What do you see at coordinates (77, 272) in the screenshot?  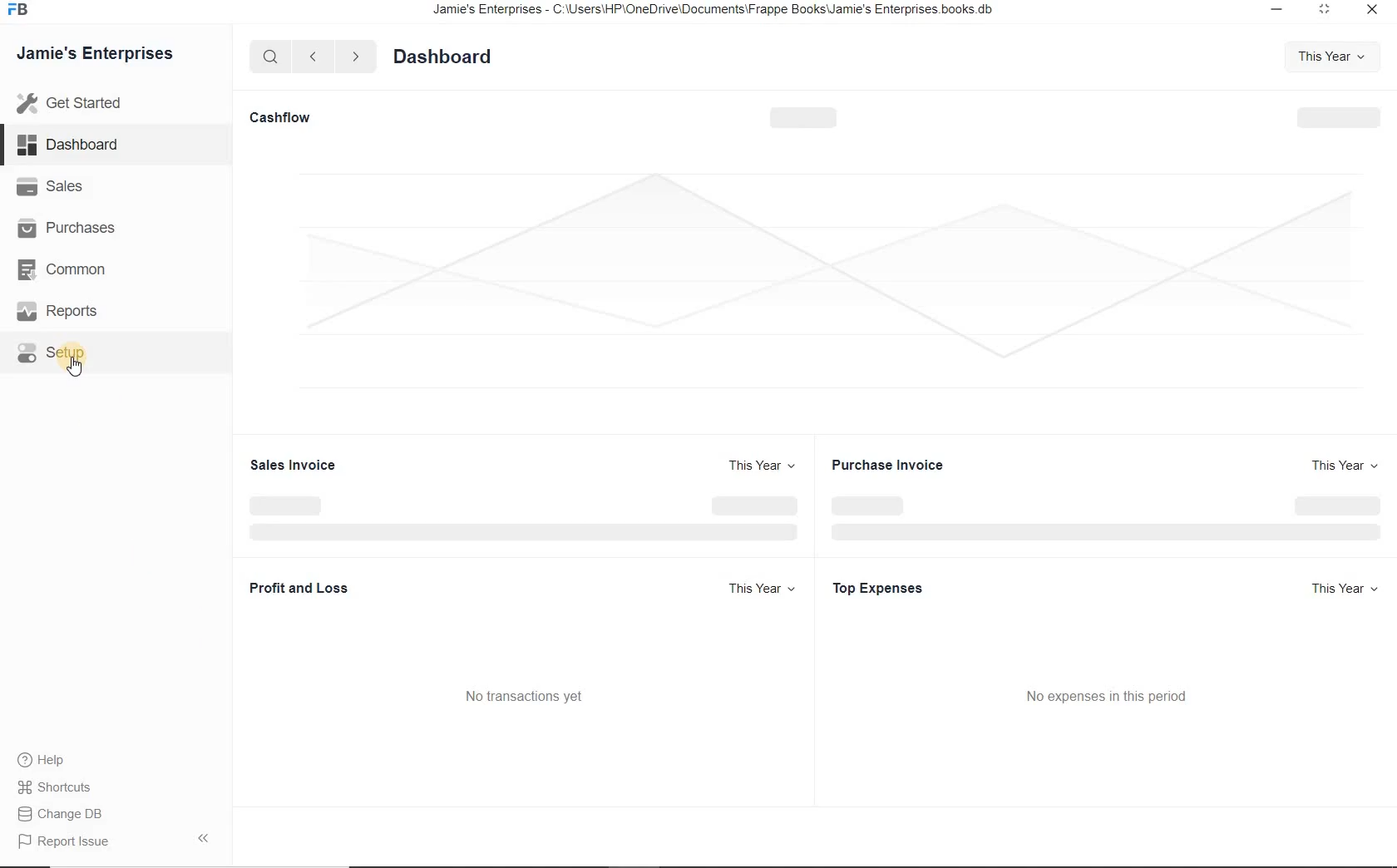 I see `common` at bounding box center [77, 272].